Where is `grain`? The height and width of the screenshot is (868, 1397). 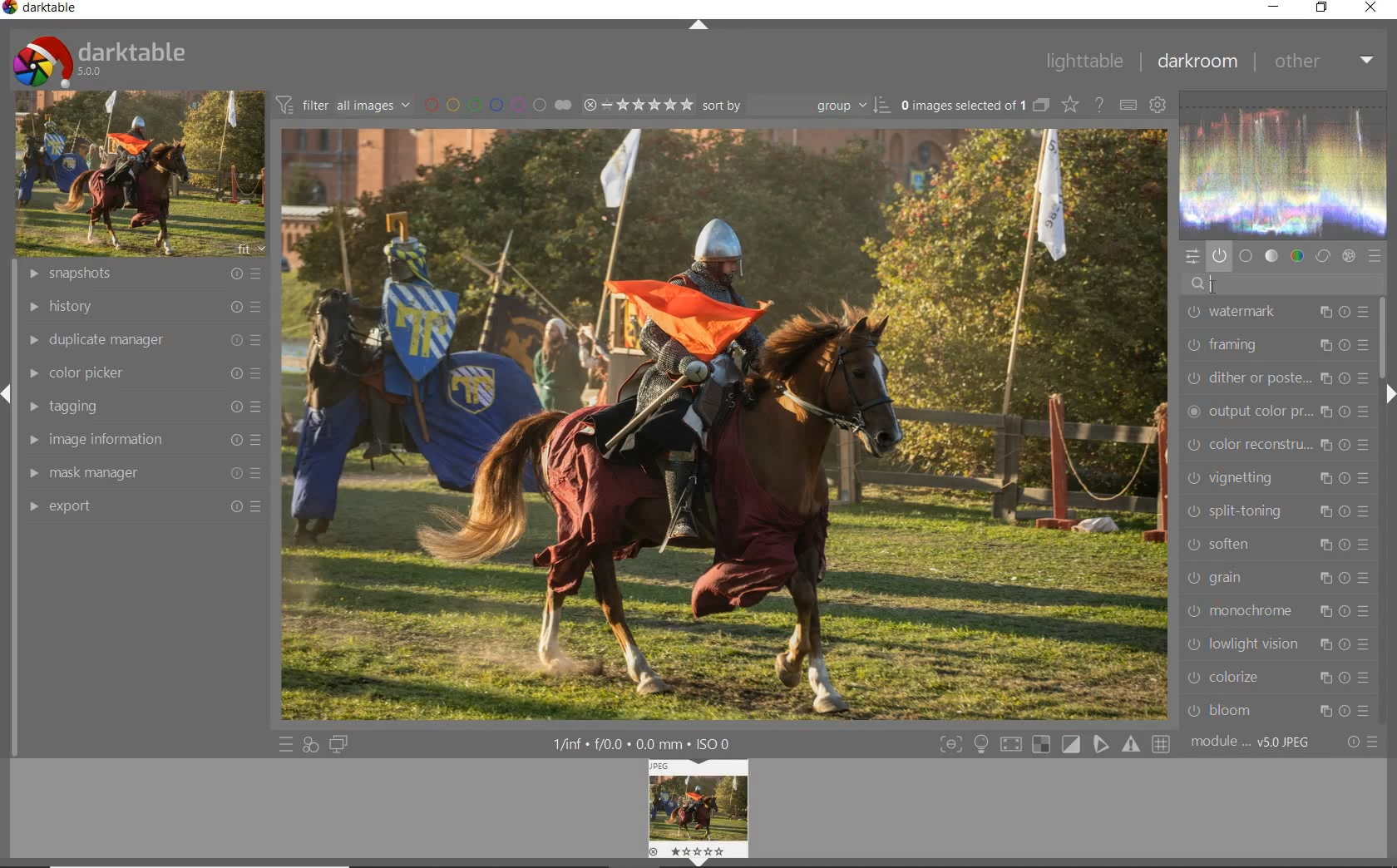
grain is located at coordinates (1277, 579).